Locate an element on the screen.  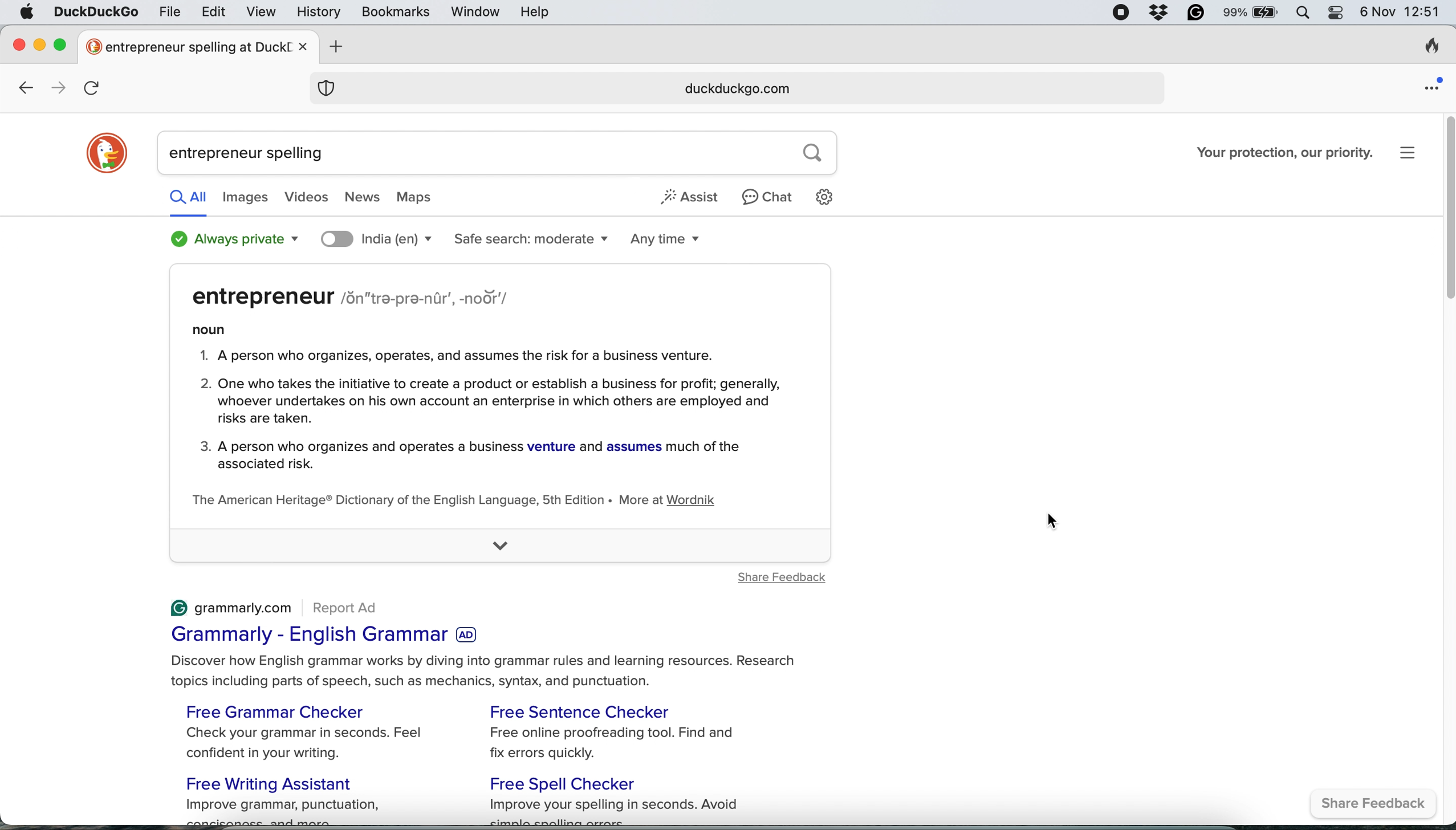
view is located at coordinates (257, 14).